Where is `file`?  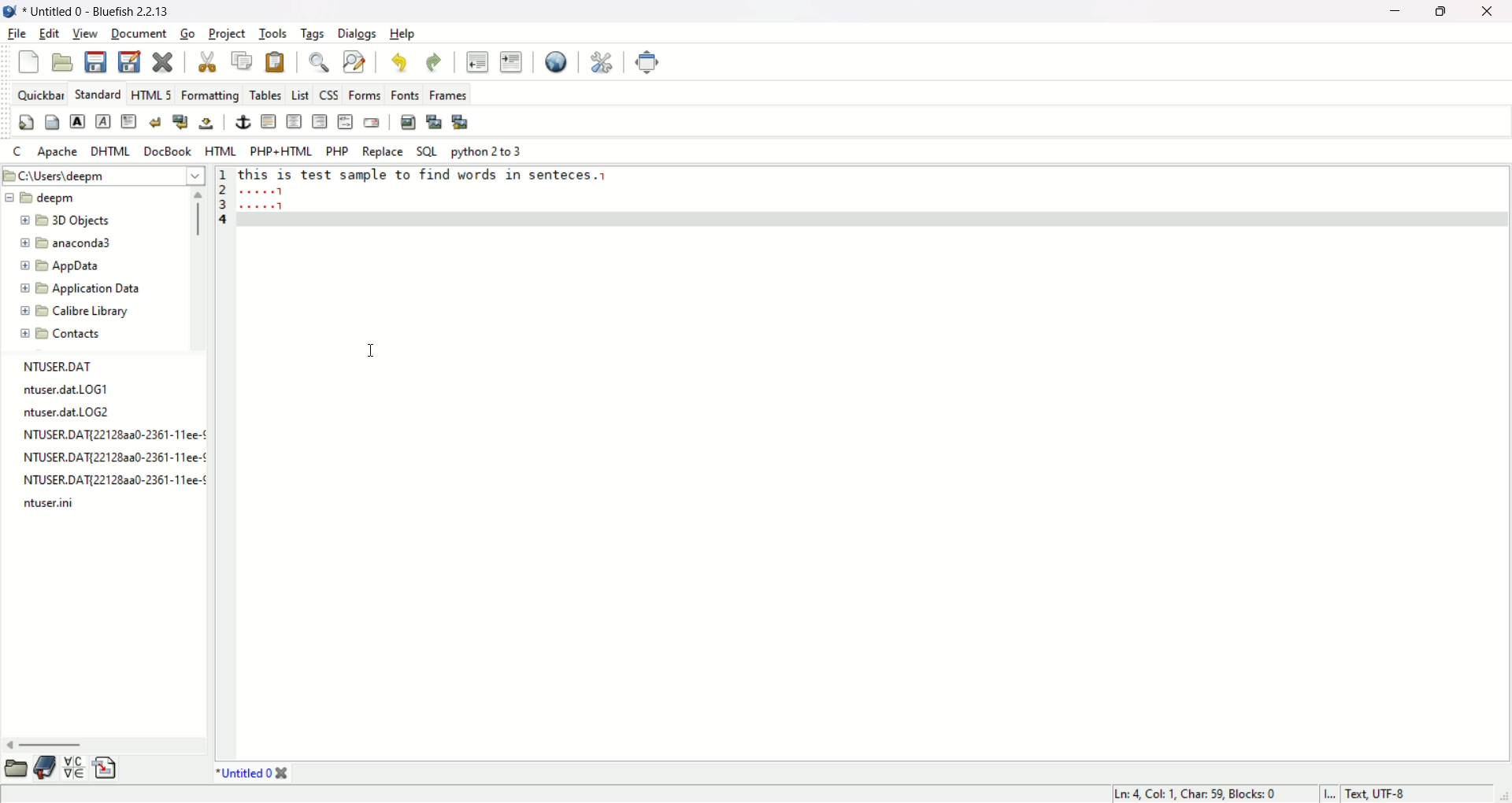 file is located at coordinates (15, 35).